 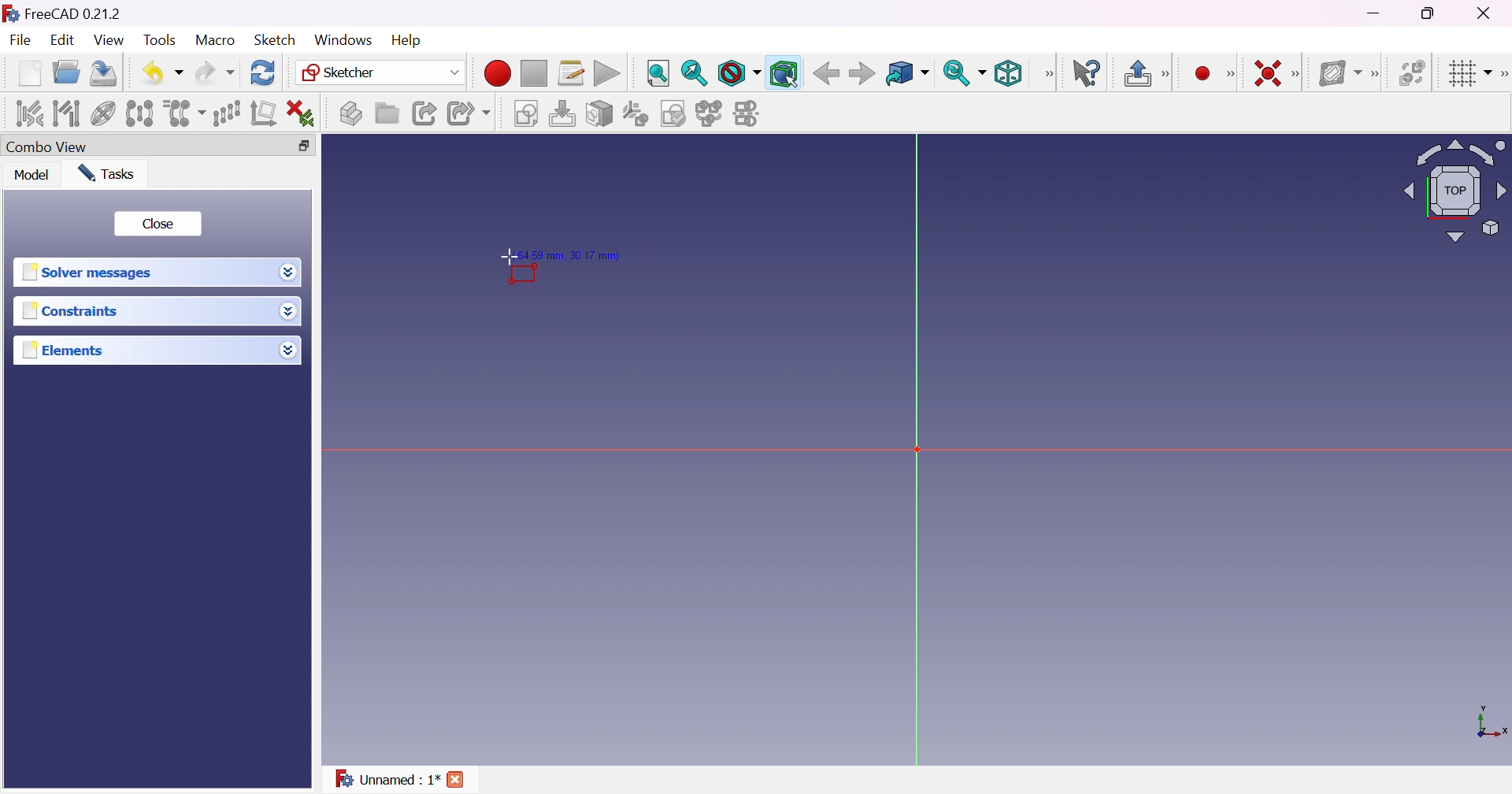 What do you see at coordinates (574, 253) in the screenshot?
I see `Position` at bounding box center [574, 253].